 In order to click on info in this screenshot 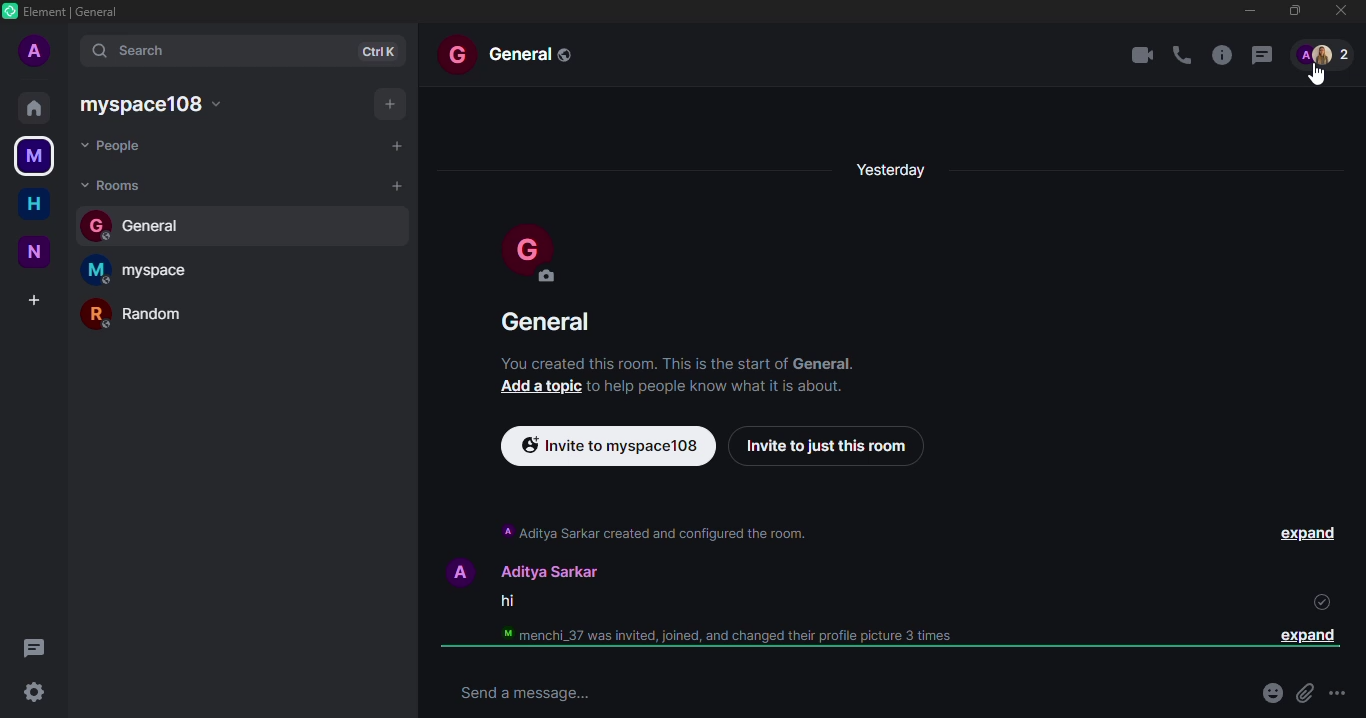, I will do `click(1219, 54)`.